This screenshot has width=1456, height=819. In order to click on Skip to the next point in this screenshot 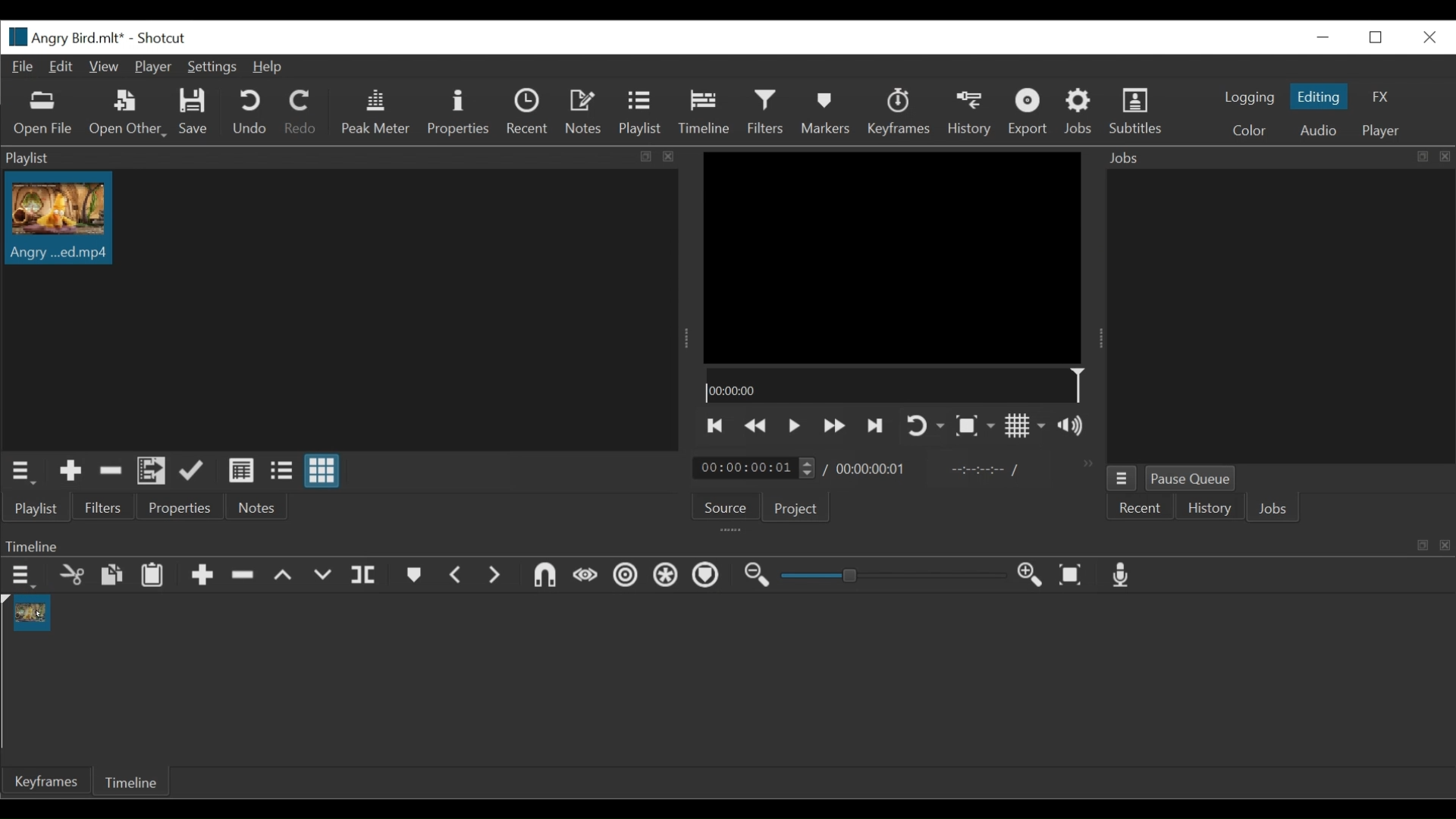, I will do `click(876, 425)`.